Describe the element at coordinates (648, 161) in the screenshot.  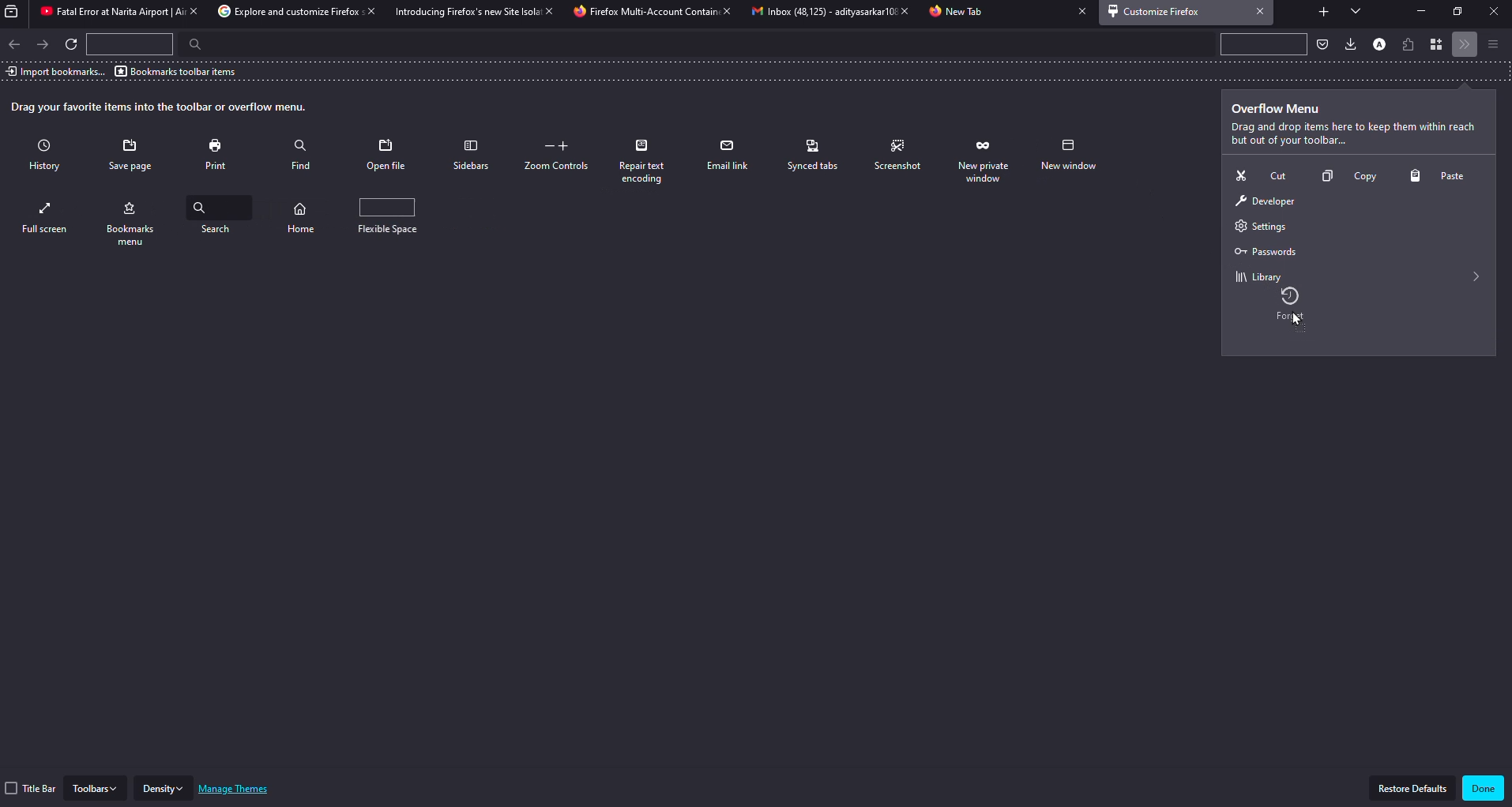
I see `repair text encoding` at that location.